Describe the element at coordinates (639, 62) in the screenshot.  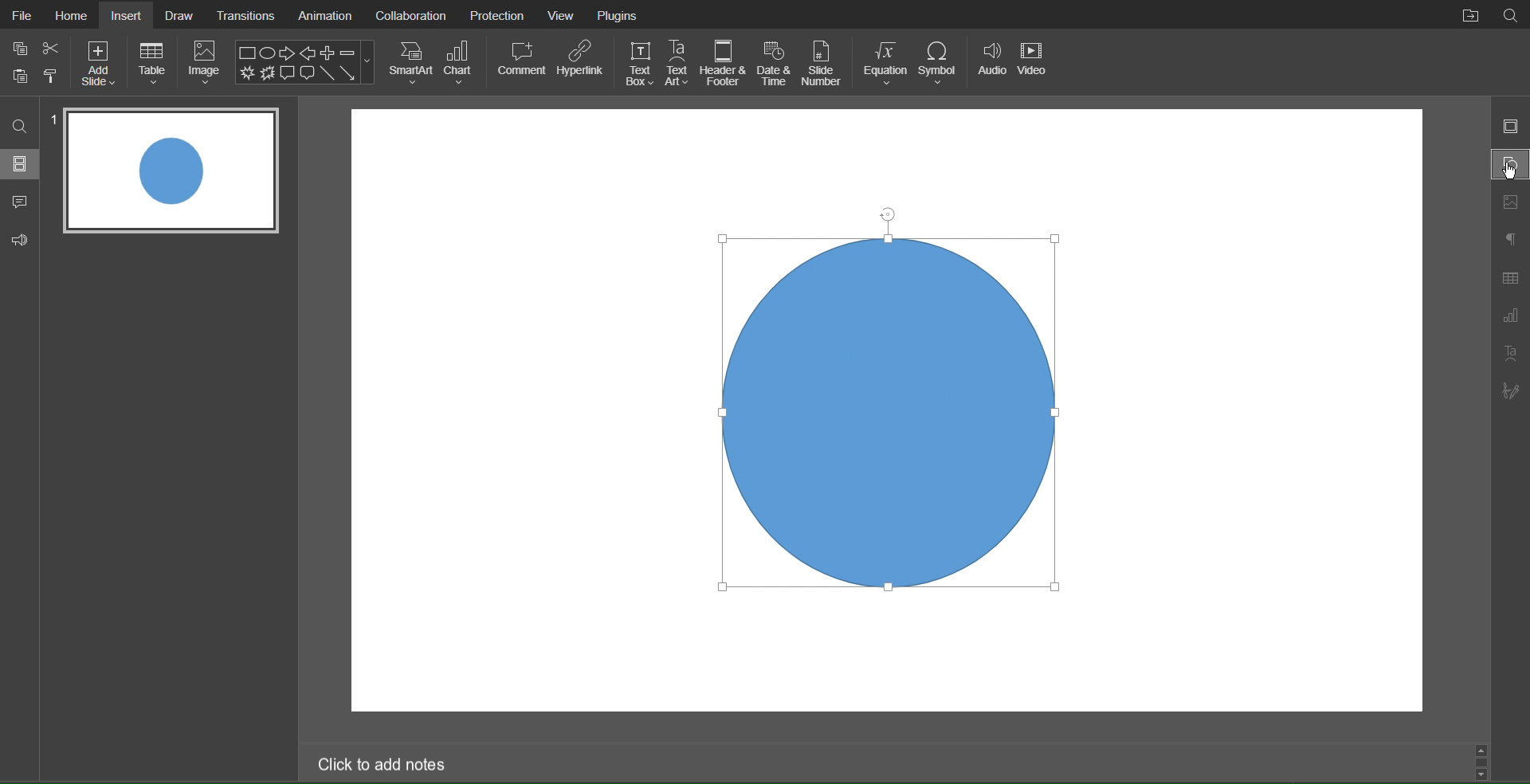
I see `Text Box` at that location.